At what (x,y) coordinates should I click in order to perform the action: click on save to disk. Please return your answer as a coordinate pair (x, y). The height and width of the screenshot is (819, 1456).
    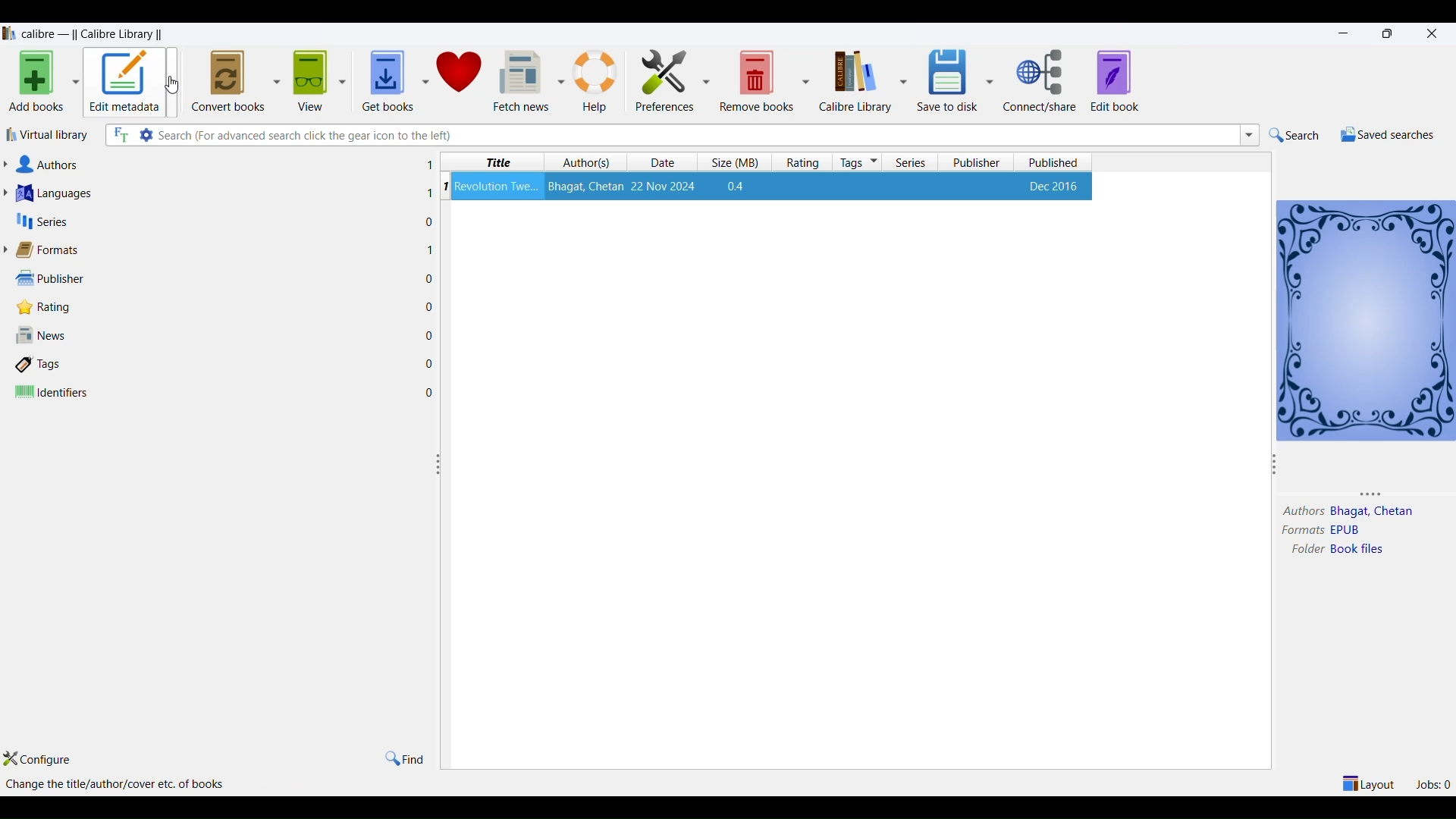
    Looking at the image, I should click on (946, 77).